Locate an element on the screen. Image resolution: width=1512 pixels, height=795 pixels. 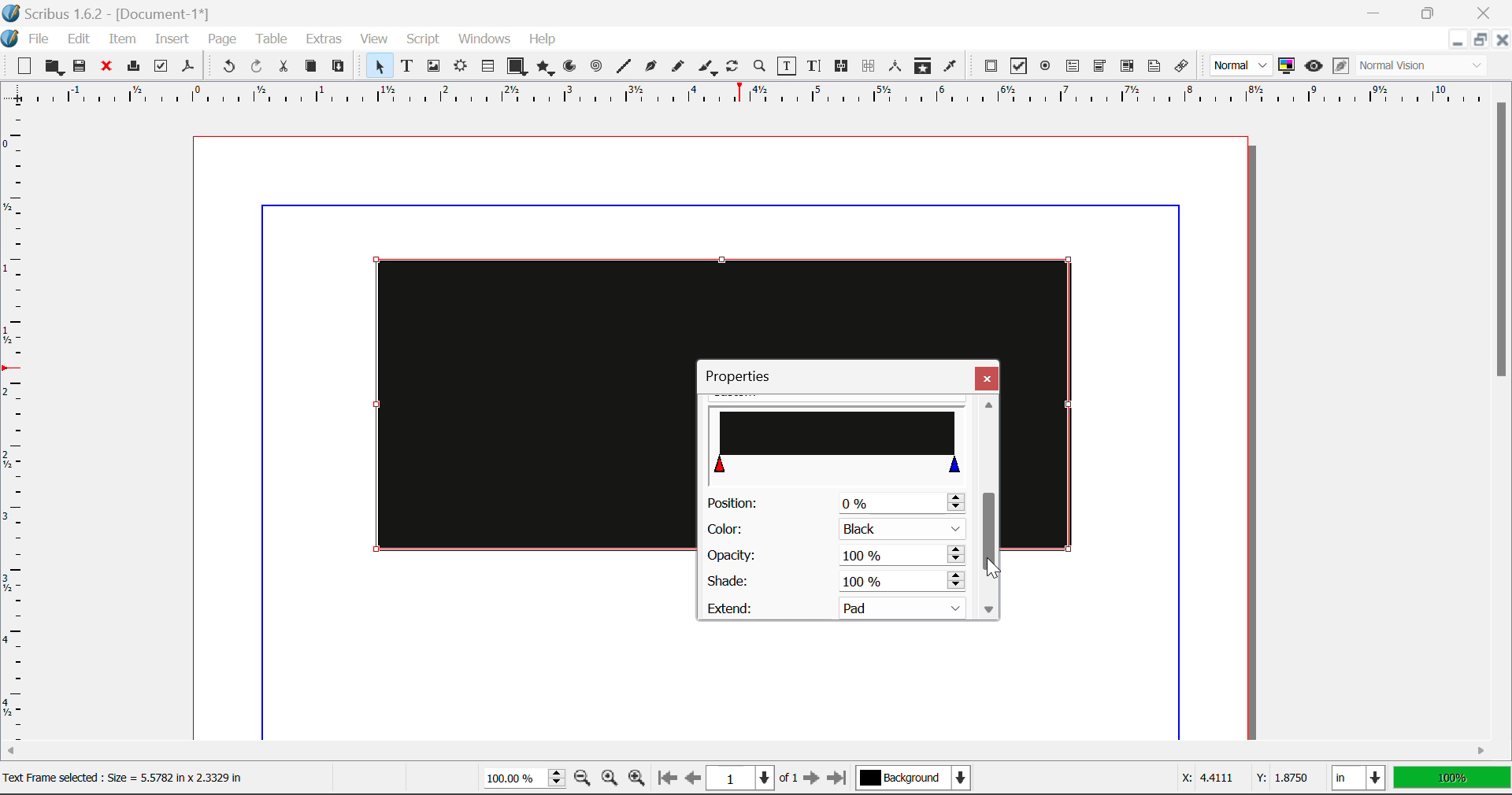
Edit in Preview Mode is located at coordinates (1341, 66).